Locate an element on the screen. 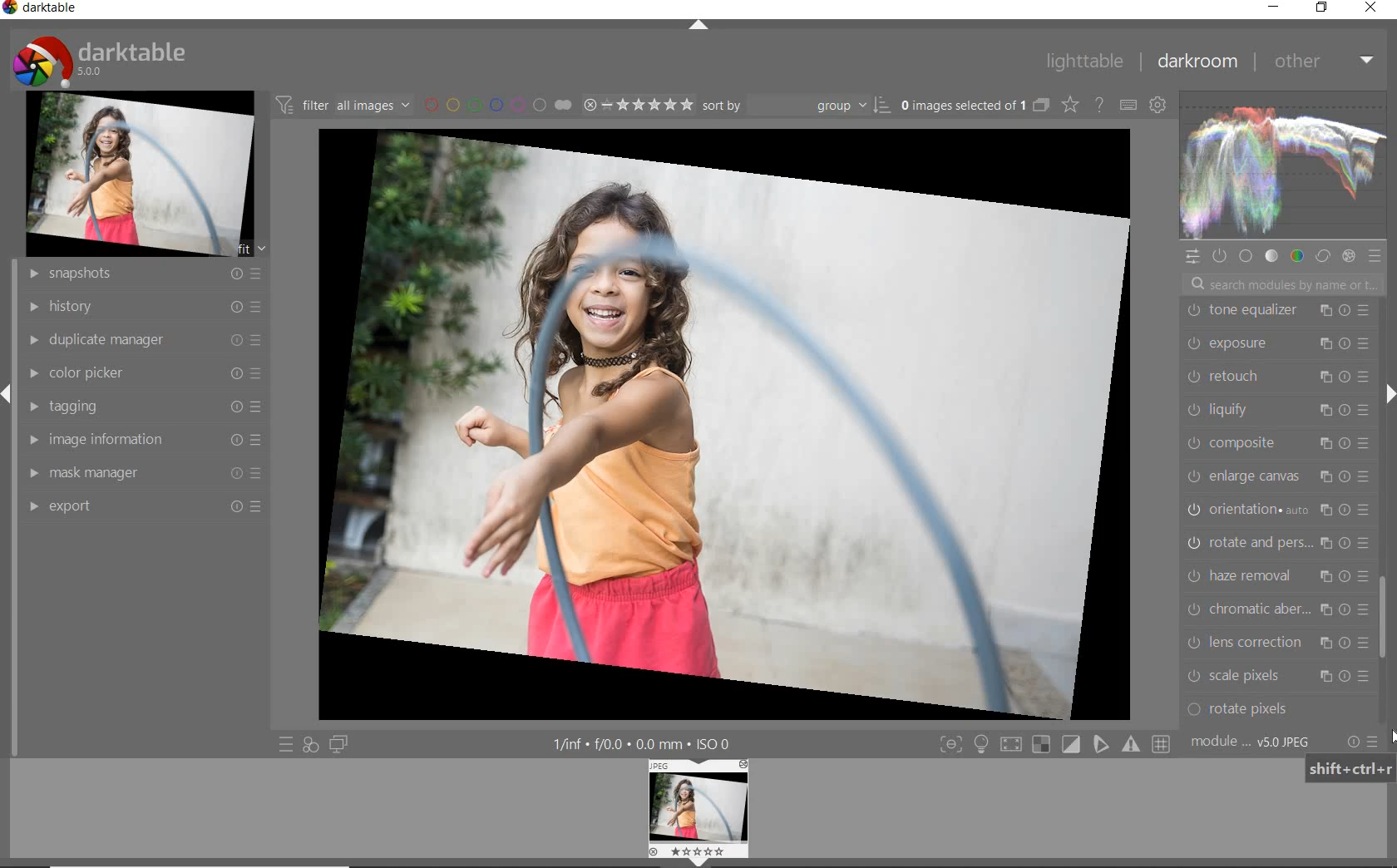 The height and width of the screenshot is (868, 1397). color picker is located at coordinates (142, 372).